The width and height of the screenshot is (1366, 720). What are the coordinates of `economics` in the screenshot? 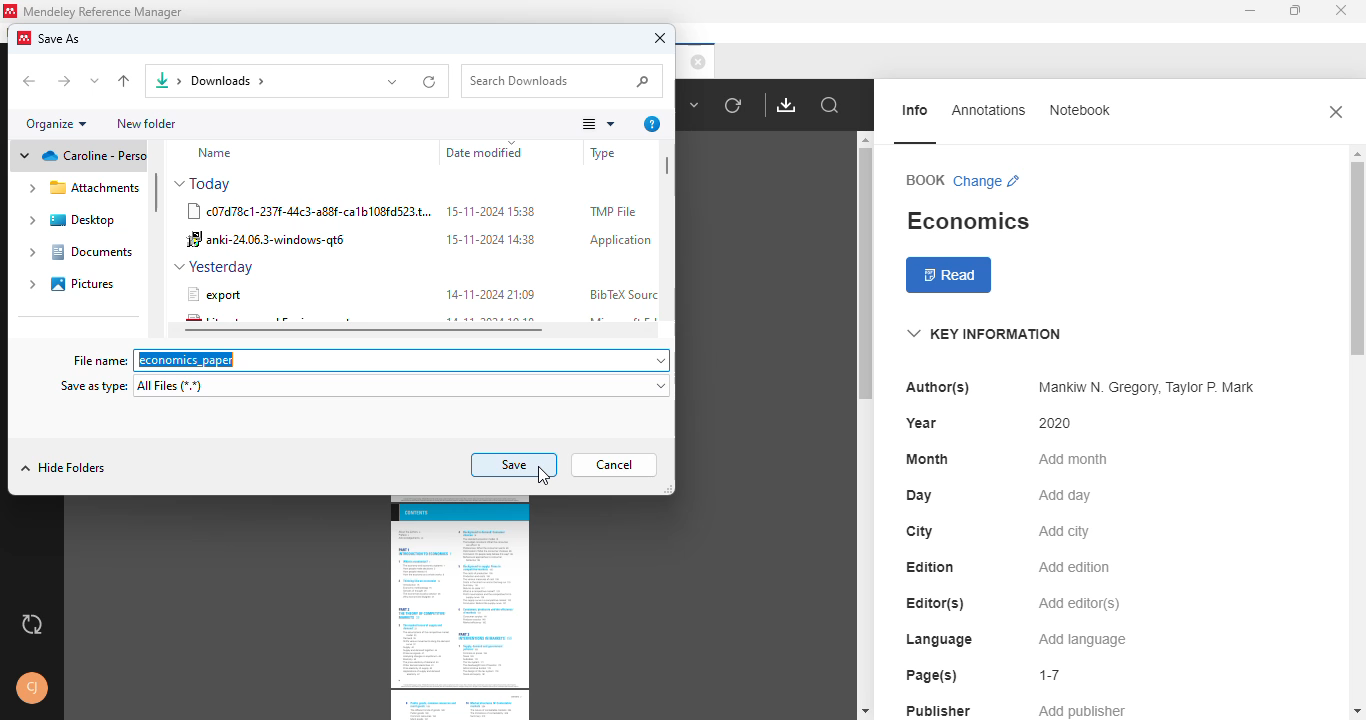 It's located at (967, 221).